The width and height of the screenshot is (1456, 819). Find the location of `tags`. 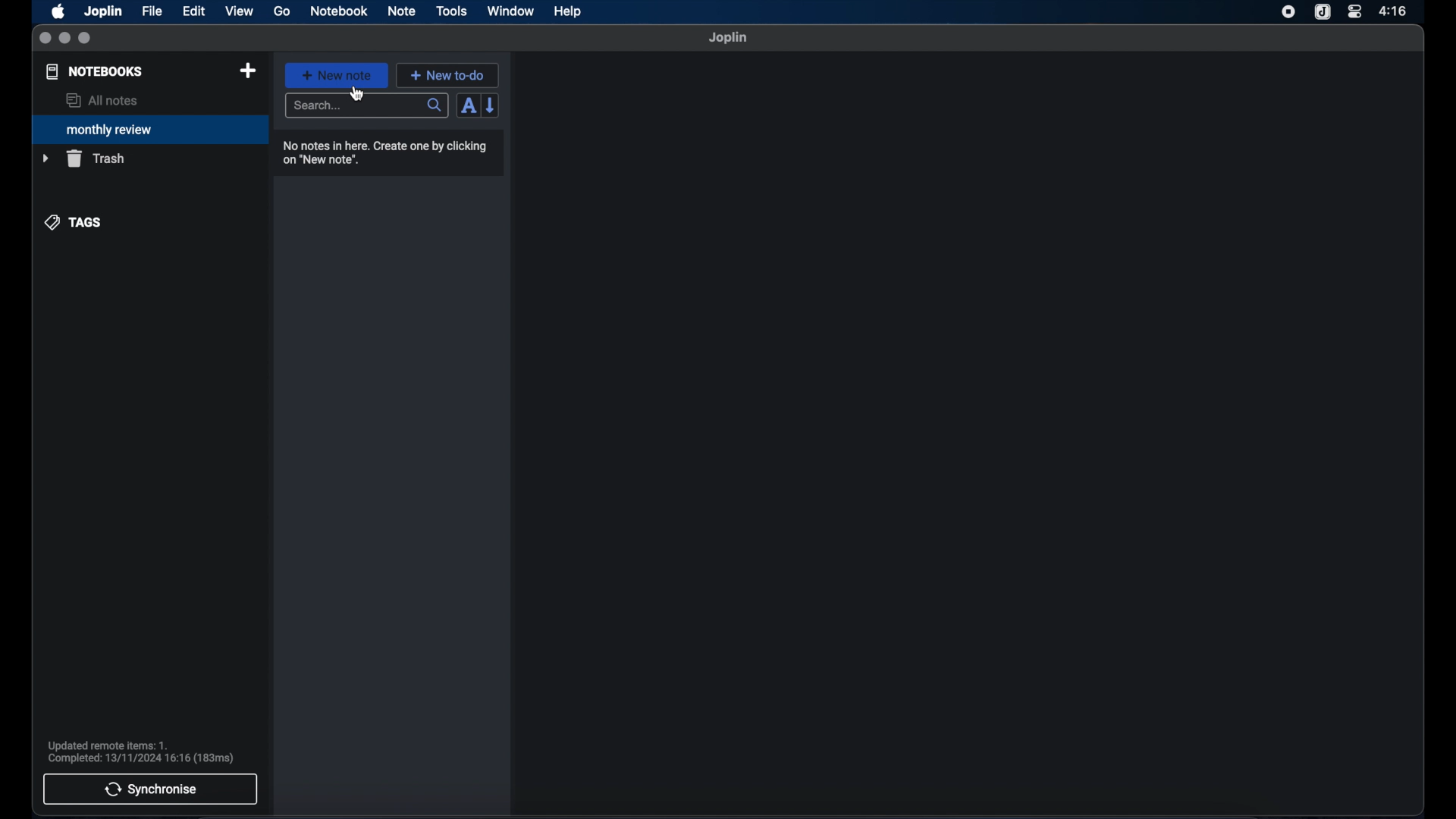

tags is located at coordinates (74, 222).